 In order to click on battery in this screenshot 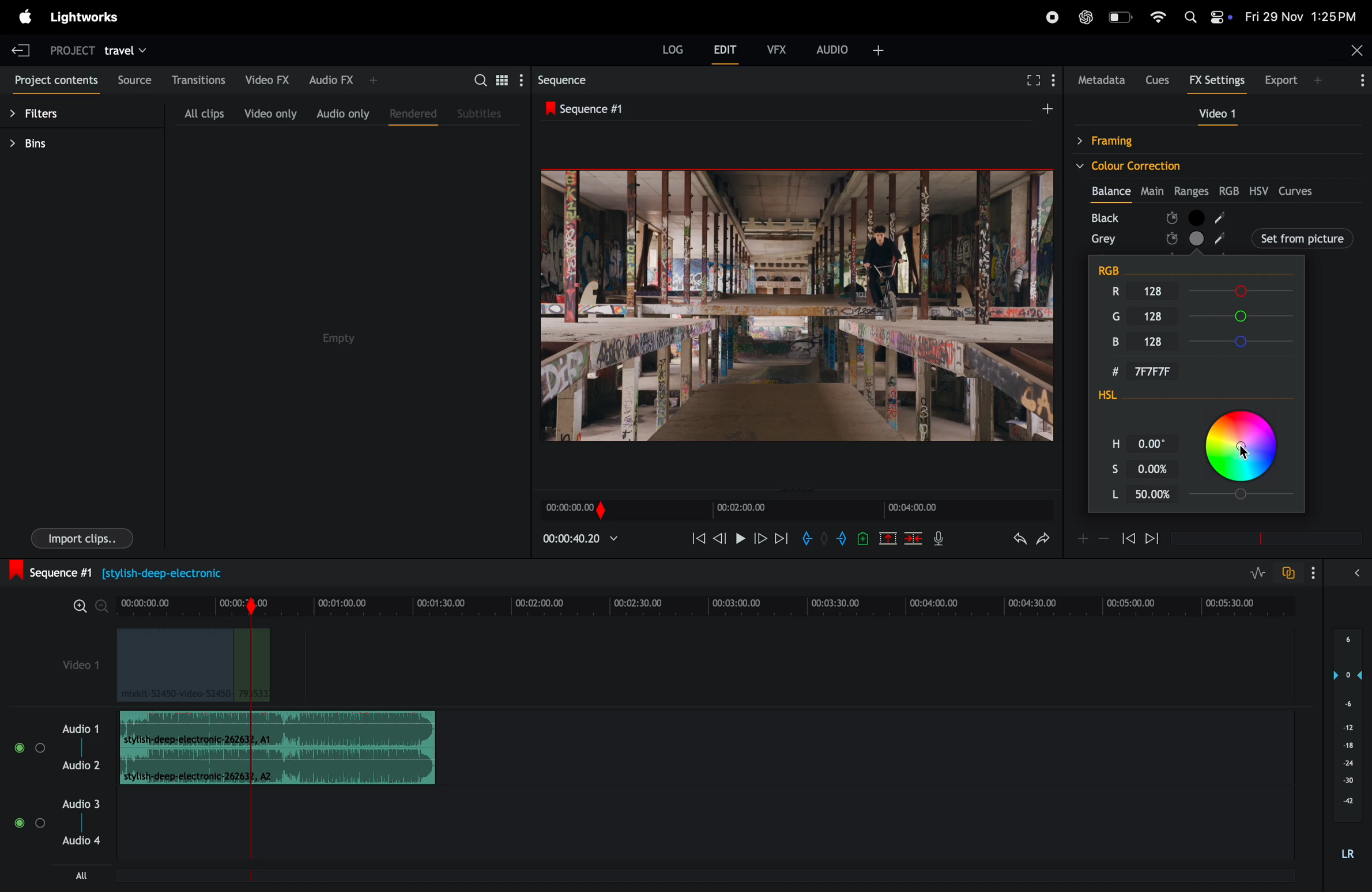, I will do `click(1121, 17)`.